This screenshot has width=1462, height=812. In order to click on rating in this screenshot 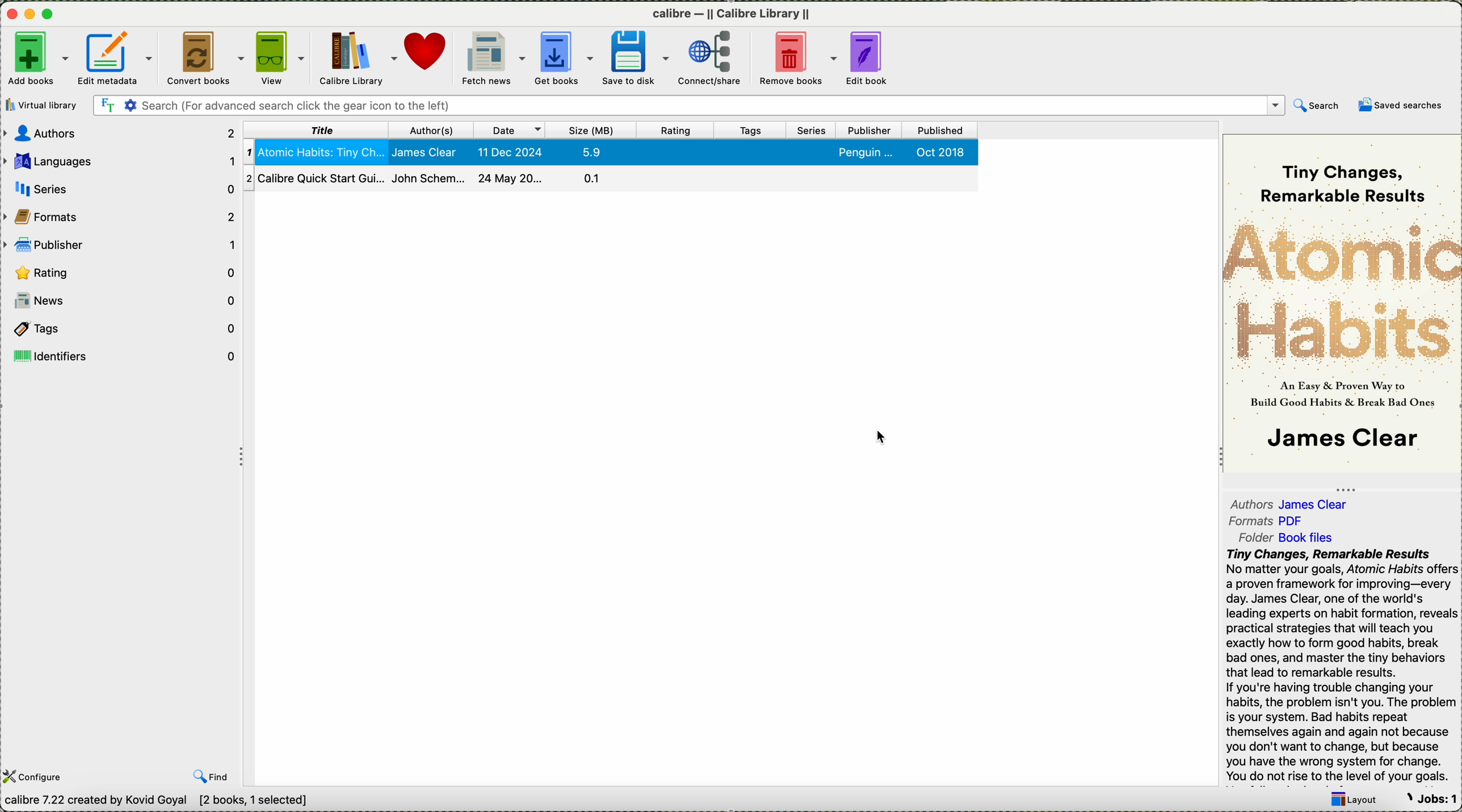, I will do `click(124, 272)`.